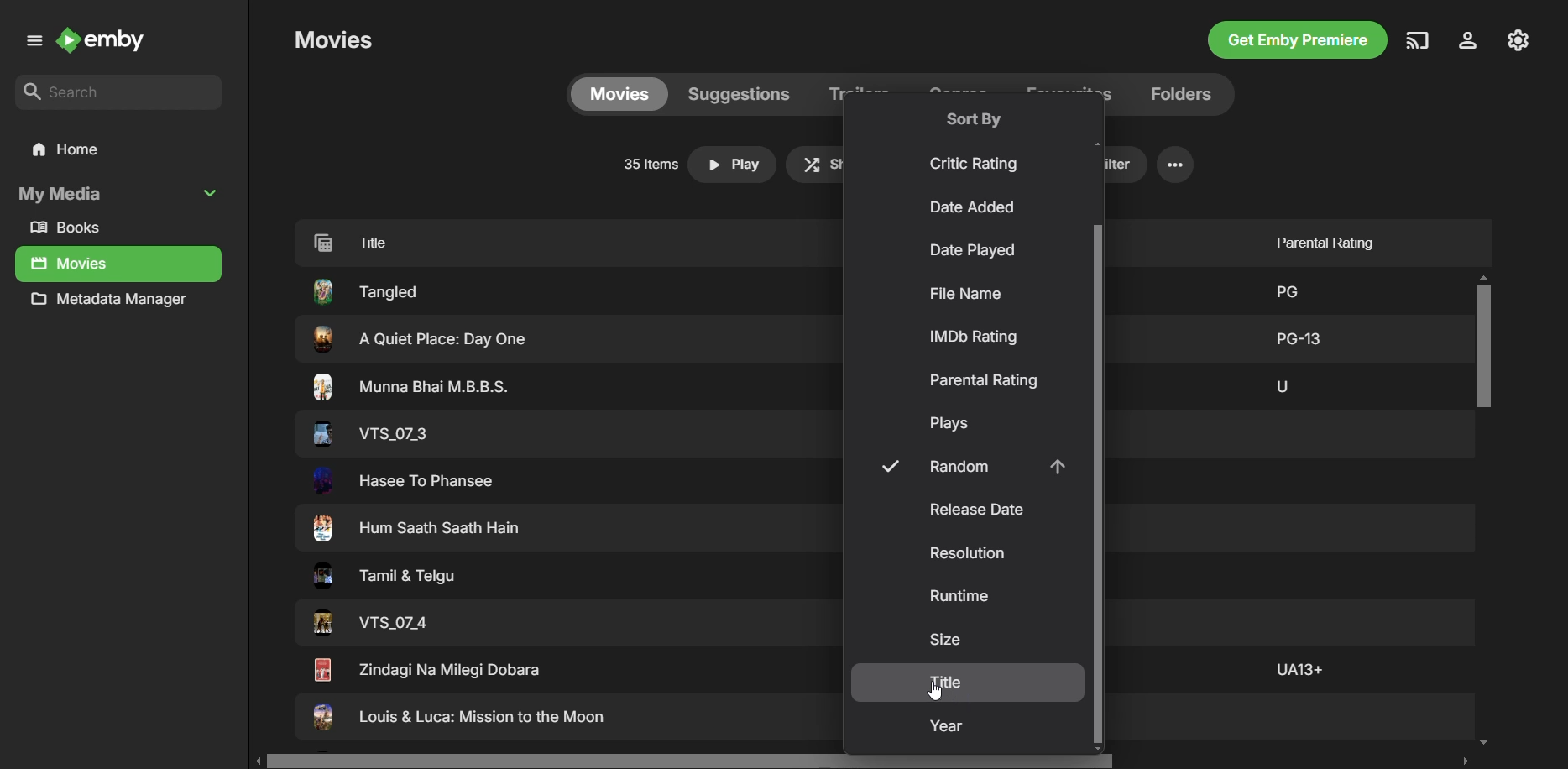 The width and height of the screenshot is (1568, 769). I want to click on , so click(379, 578).